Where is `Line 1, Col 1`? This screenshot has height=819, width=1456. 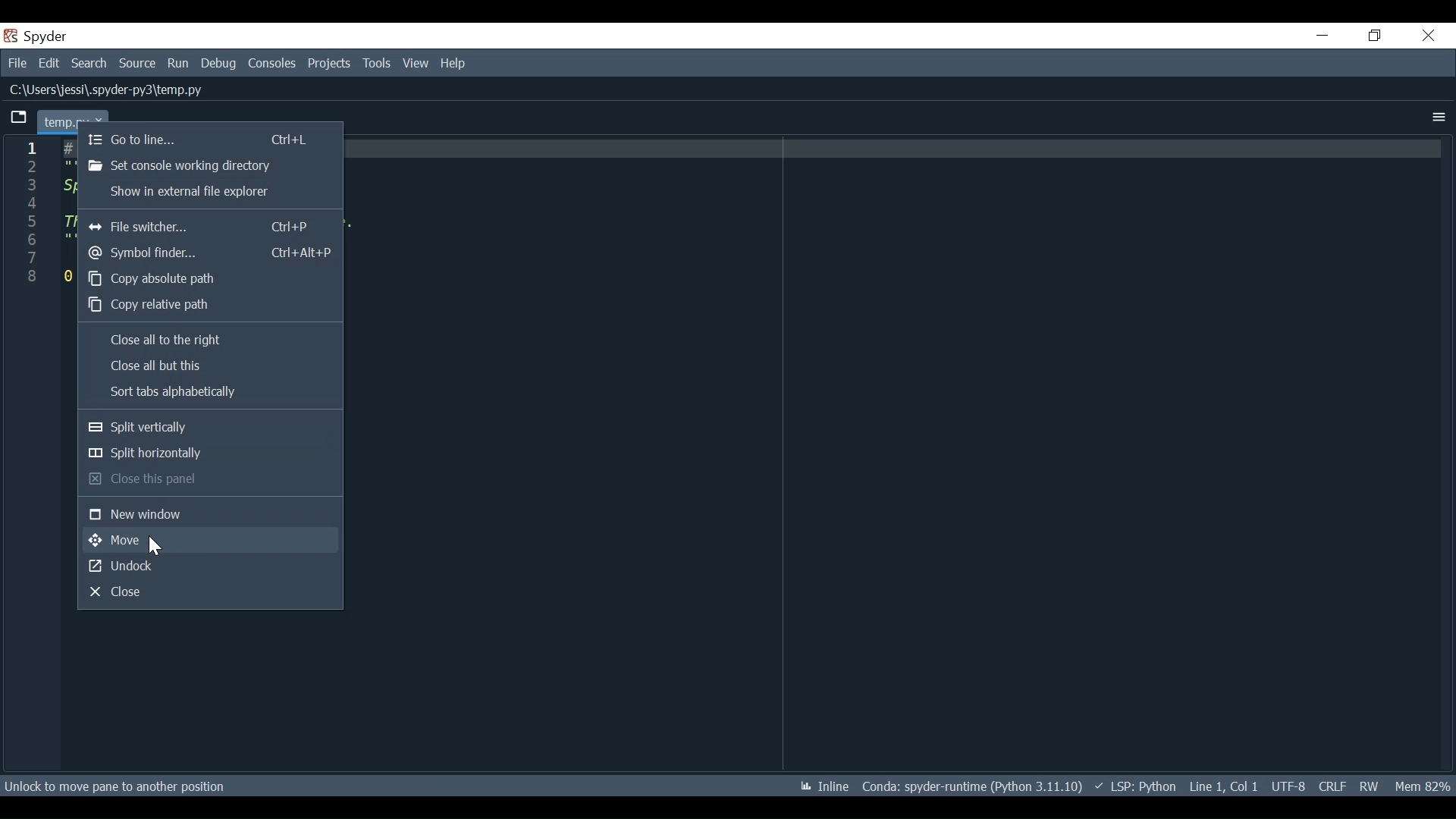 Line 1, Col 1 is located at coordinates (1223, 787).